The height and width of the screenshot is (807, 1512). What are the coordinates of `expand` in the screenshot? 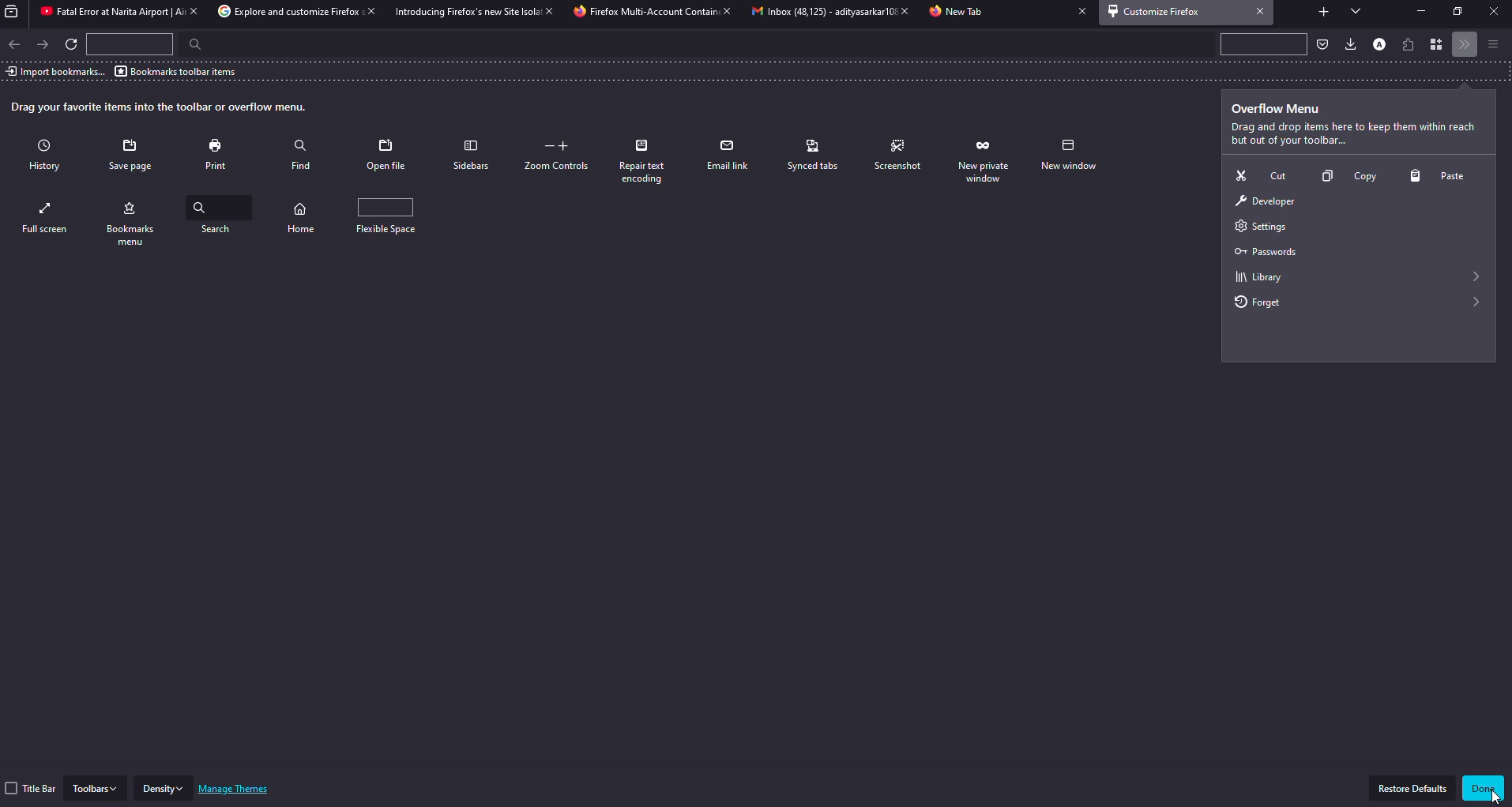 It's located at (1479, 302).